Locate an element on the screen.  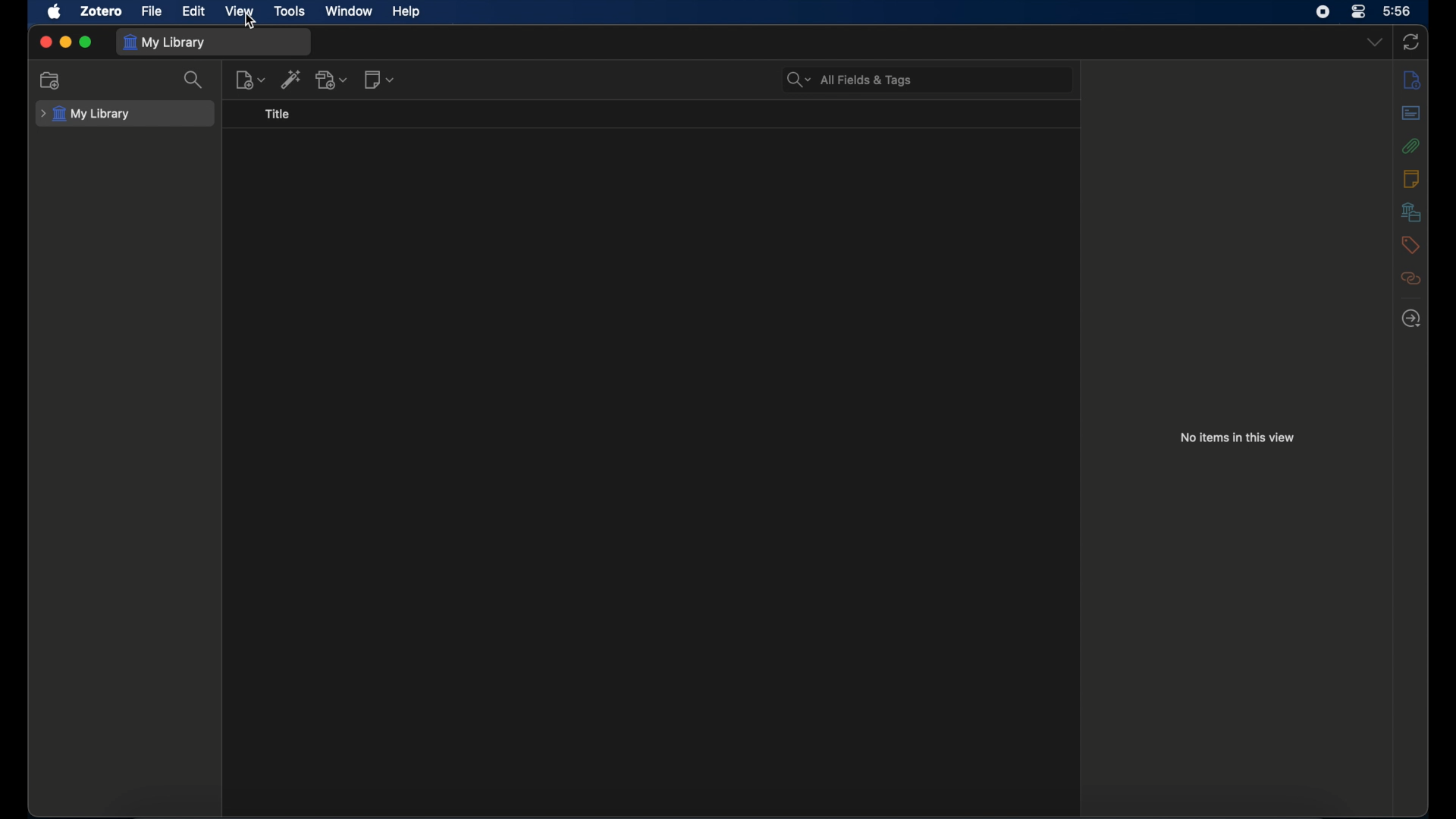
window is located at coordinates (349, 11).